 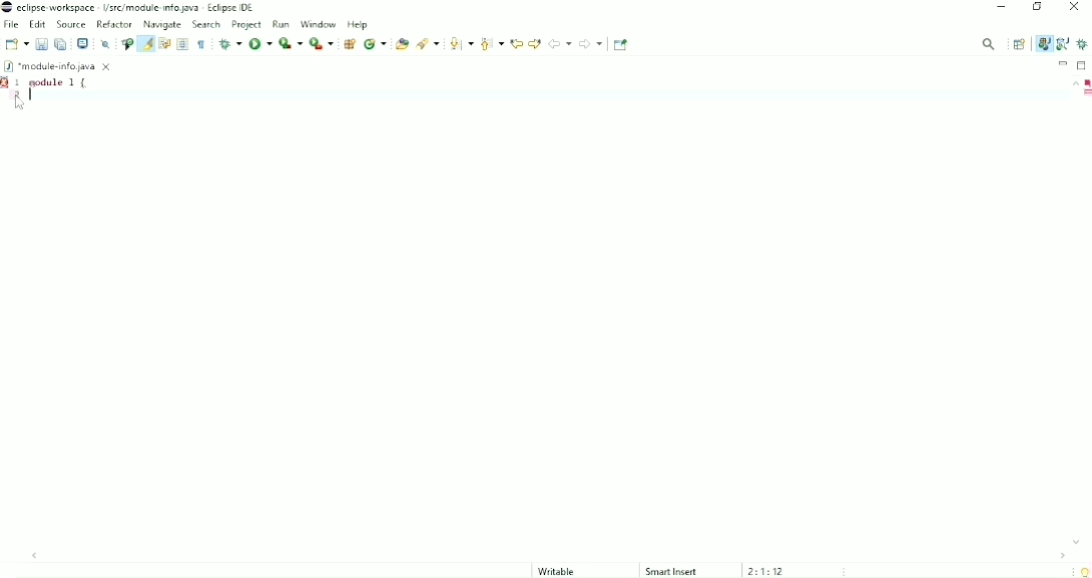 I want to click on Run, so click(x=260, y=43).